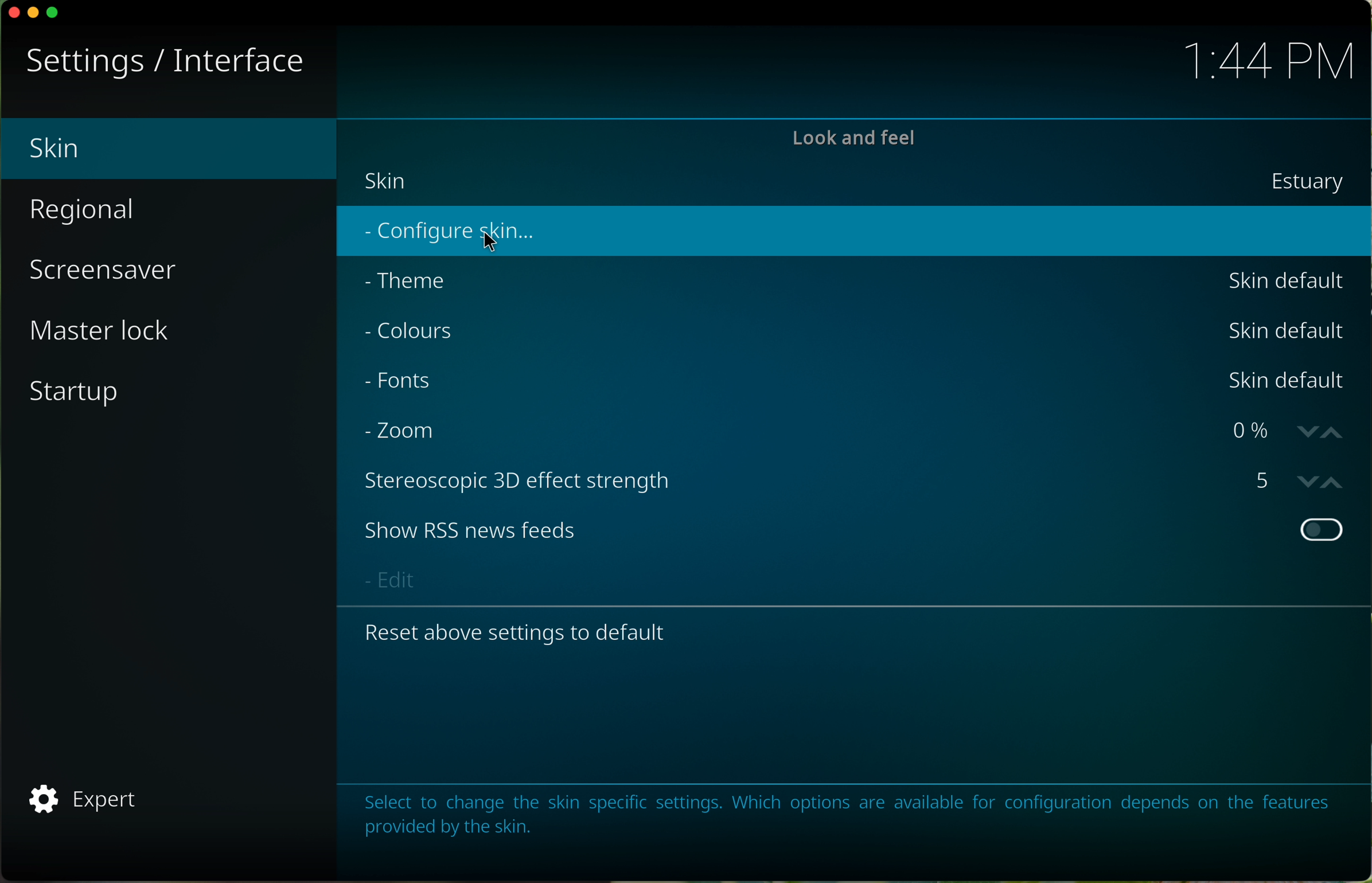 The width and height of the screenshot is (1372, 883). What do you see at coordinates (107, 275) in the screenshot?
I see `screensaver` at bounding box center [107, 275].